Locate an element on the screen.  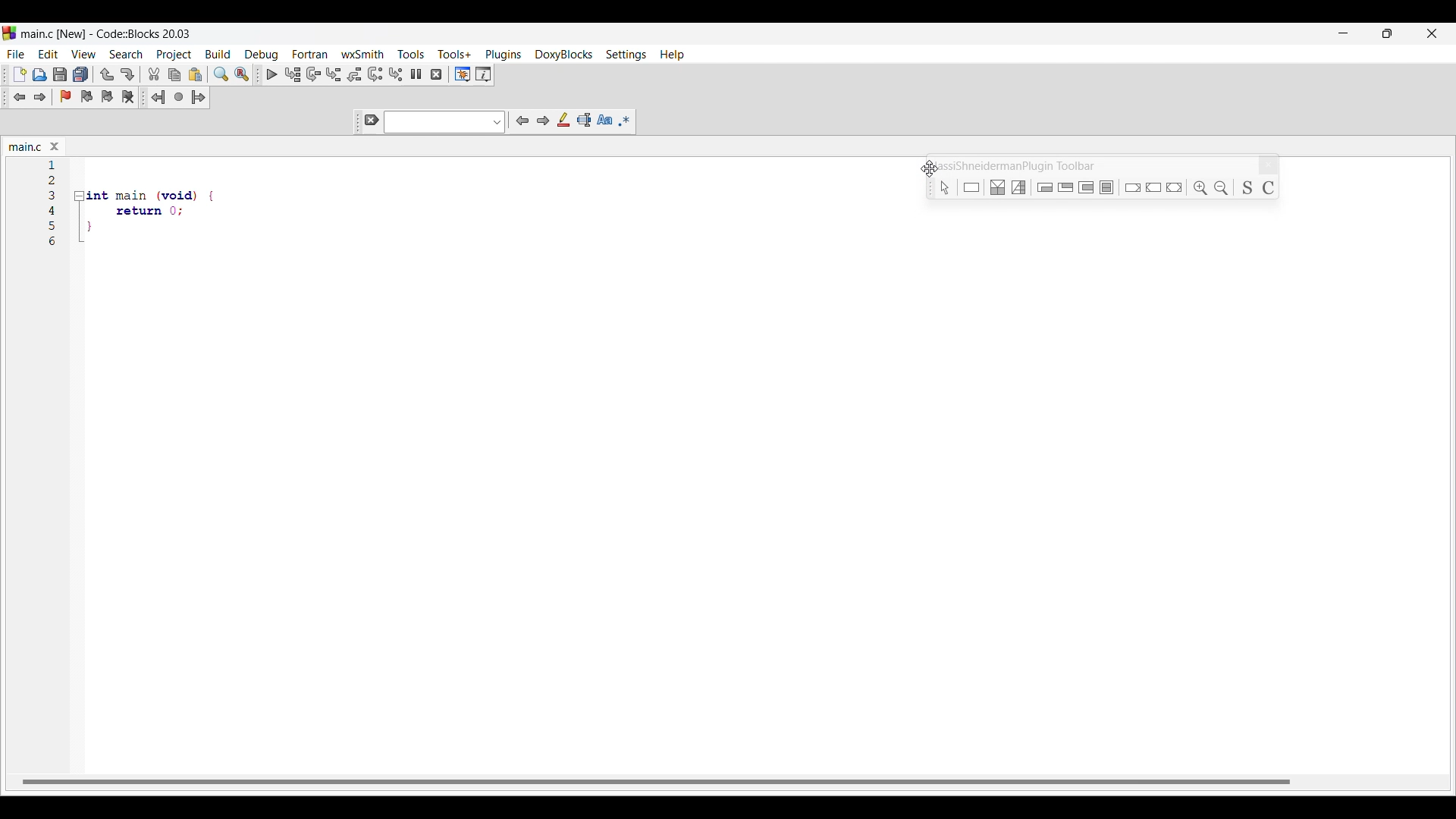
 is located at coordinates (1046, 187).